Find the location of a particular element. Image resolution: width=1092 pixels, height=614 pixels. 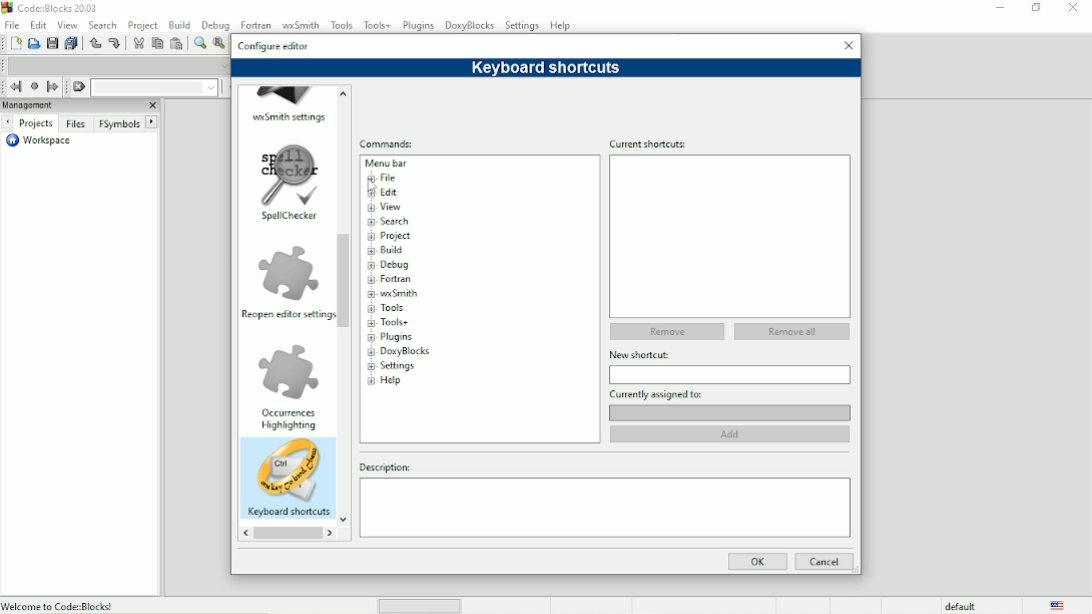

Image is located at coordinates (291, 369).